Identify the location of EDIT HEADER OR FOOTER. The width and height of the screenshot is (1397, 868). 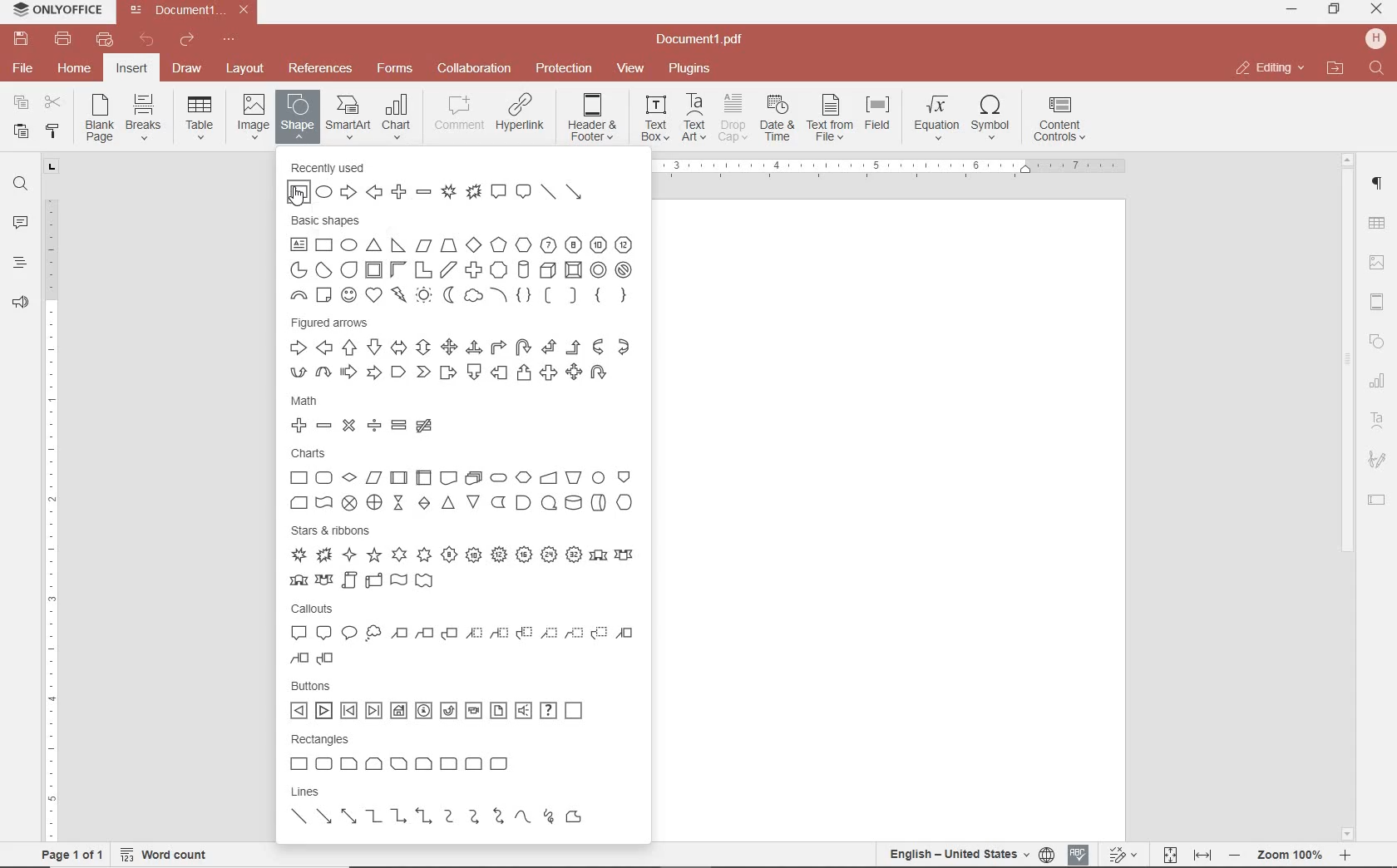
(594, 118).